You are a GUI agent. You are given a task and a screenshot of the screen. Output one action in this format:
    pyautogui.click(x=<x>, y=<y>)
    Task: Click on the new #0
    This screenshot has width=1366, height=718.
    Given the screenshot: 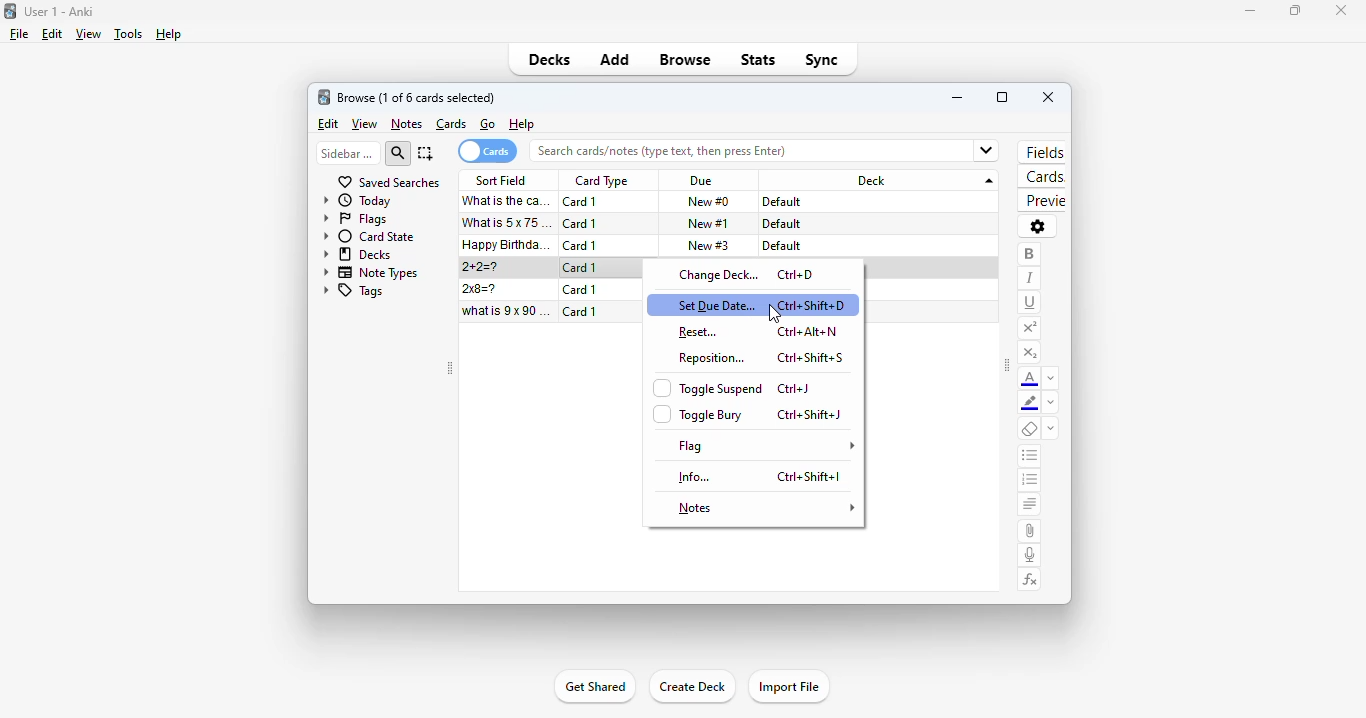 What is the action you would take?
    pyautogui.click(x=708, y=202)
    